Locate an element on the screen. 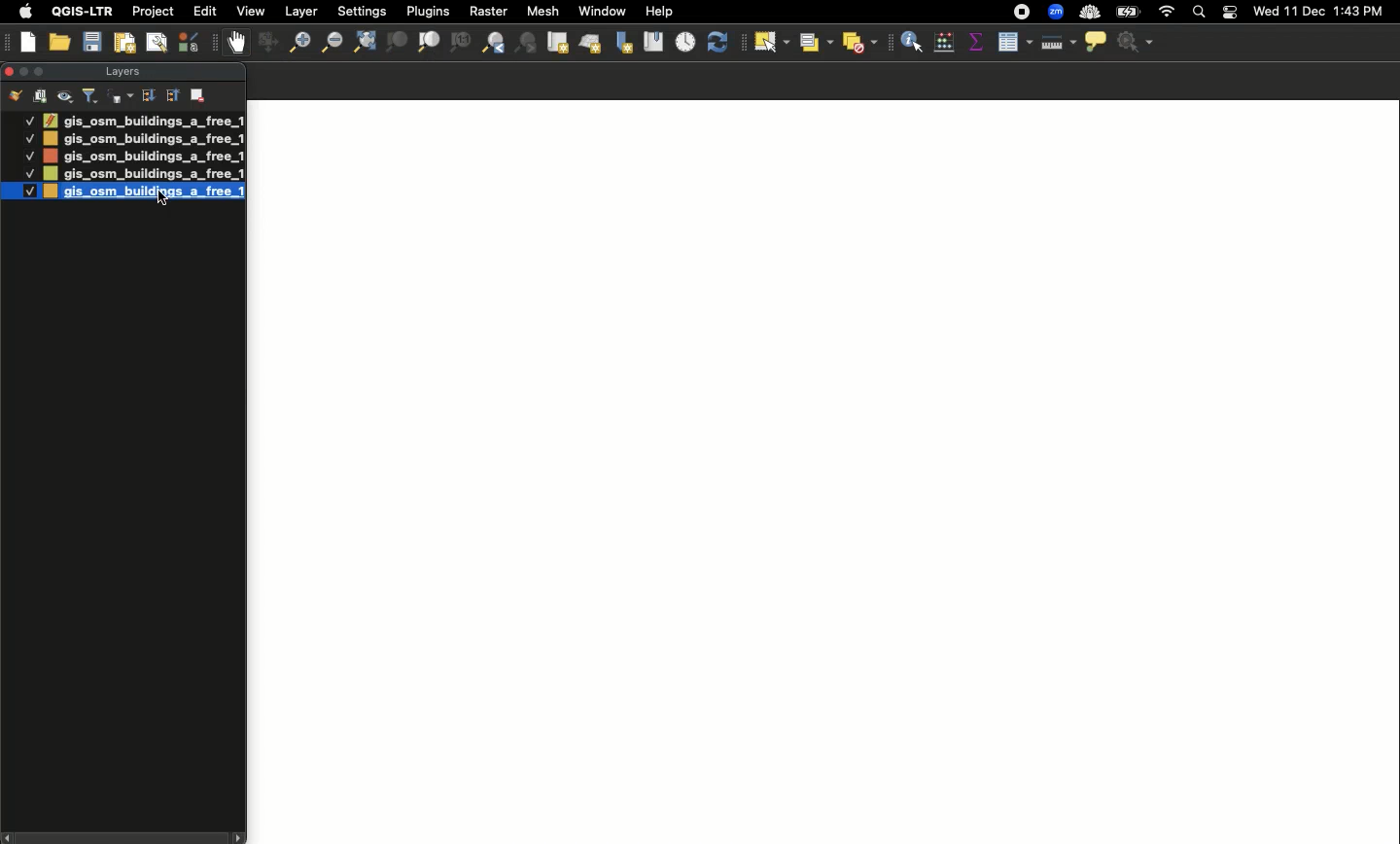 The height and width of the screenshot is (844, 1400).  is located at coordinates (1093, 14).